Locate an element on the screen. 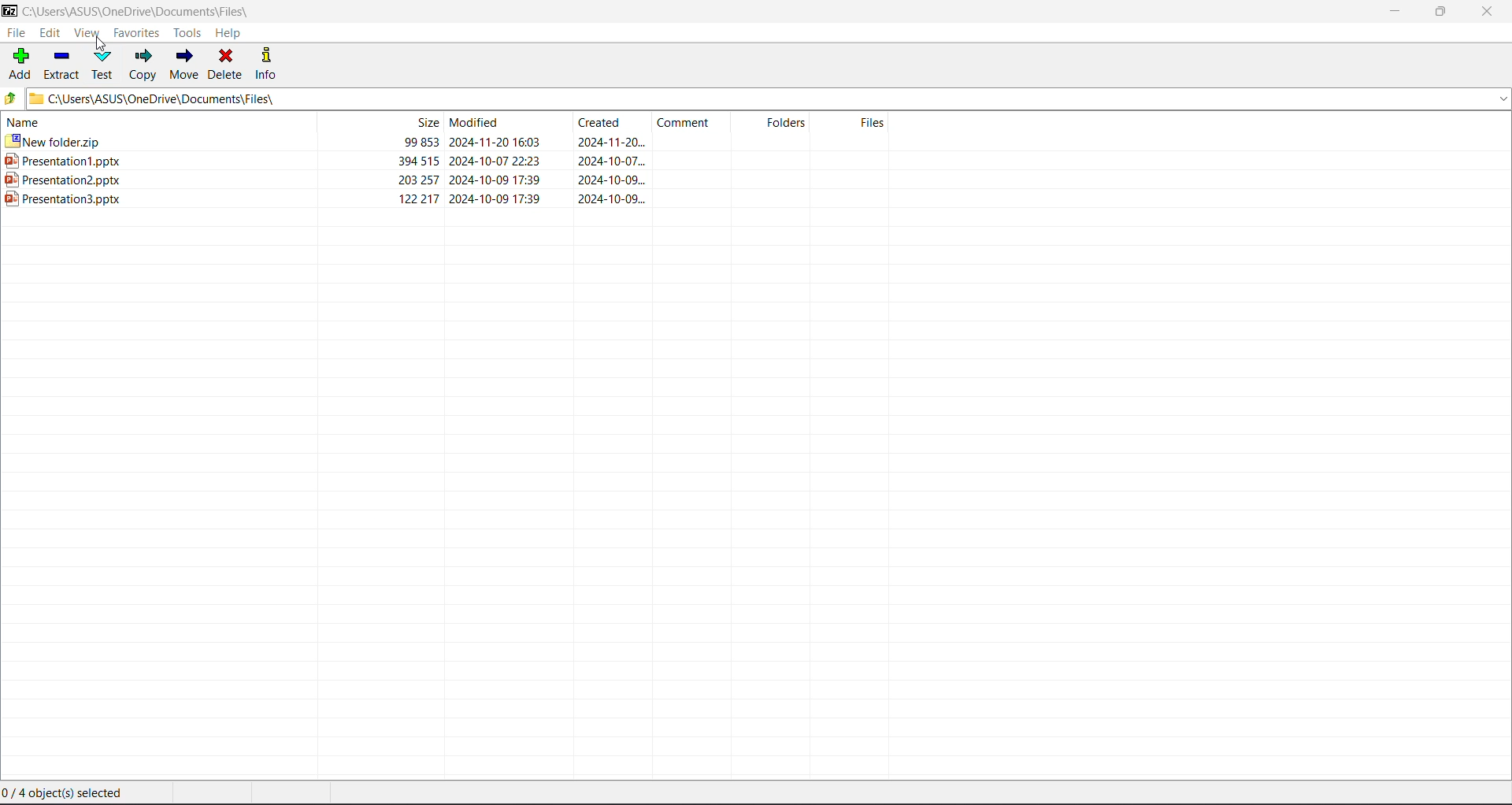 The height and width of the screenshot is (805, 1512). Current Folder Path is located at coordinates (770, 100).